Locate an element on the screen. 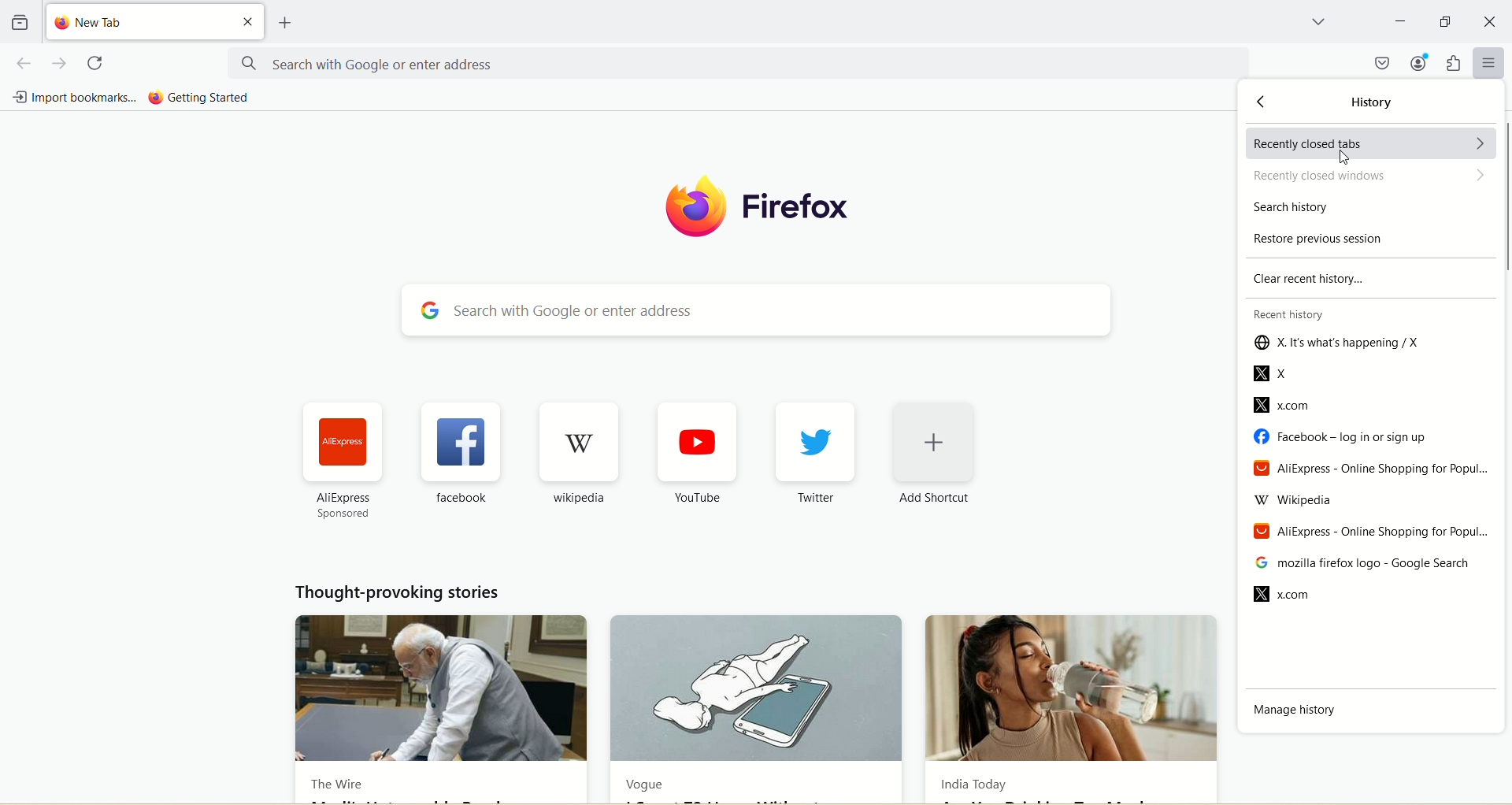 This screenshot has height=805, width=1512. wikipedia is located at coordinates (577, 498).